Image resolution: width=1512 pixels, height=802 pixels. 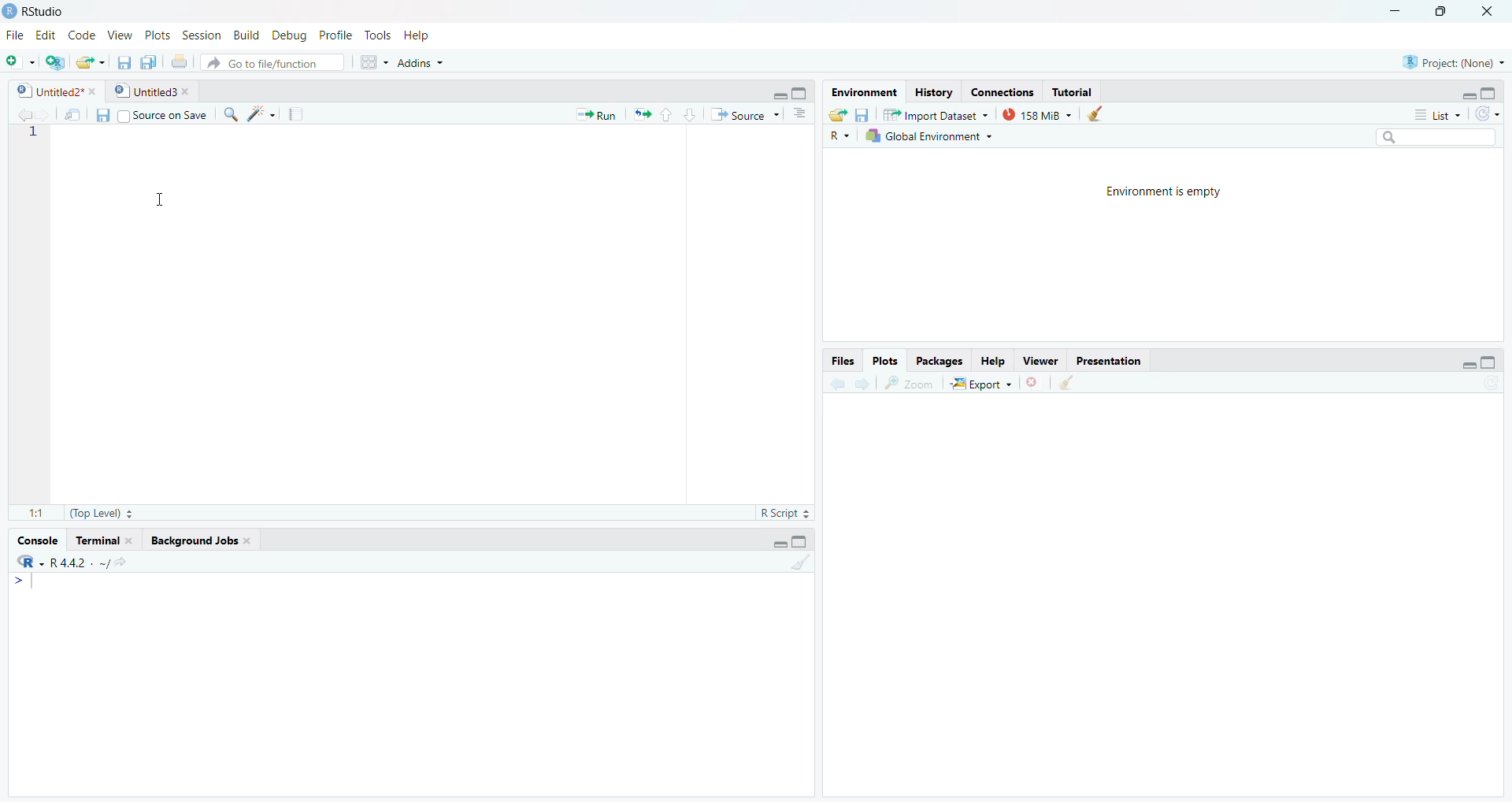 What do you see at coordinates (202, 33) in the screenshot?
I see `Session` at bounding box center [202, 33].